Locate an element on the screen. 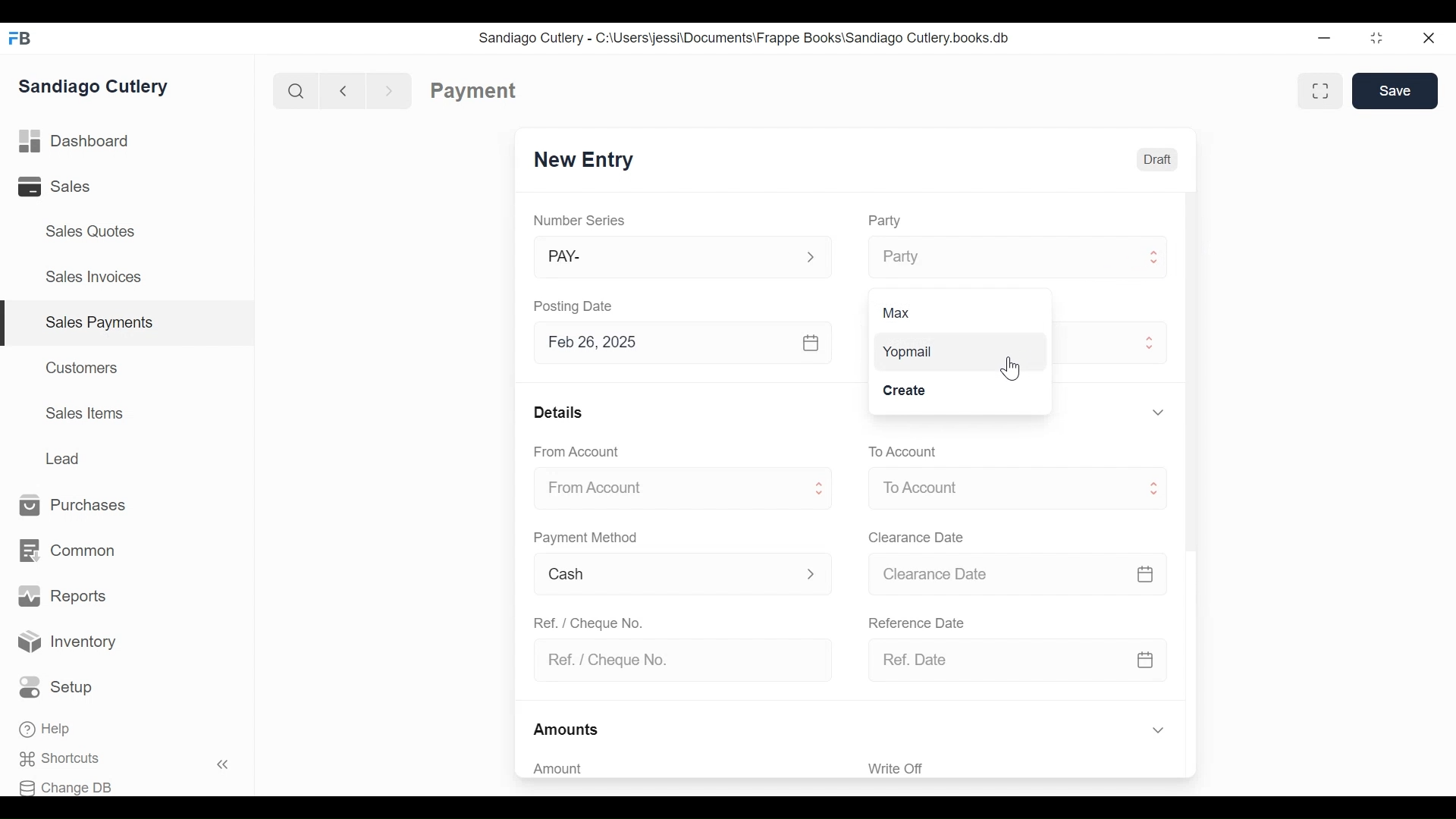 The height and width of the screenshot is (819, 1456). From Account is located at coordinates (665, 489).